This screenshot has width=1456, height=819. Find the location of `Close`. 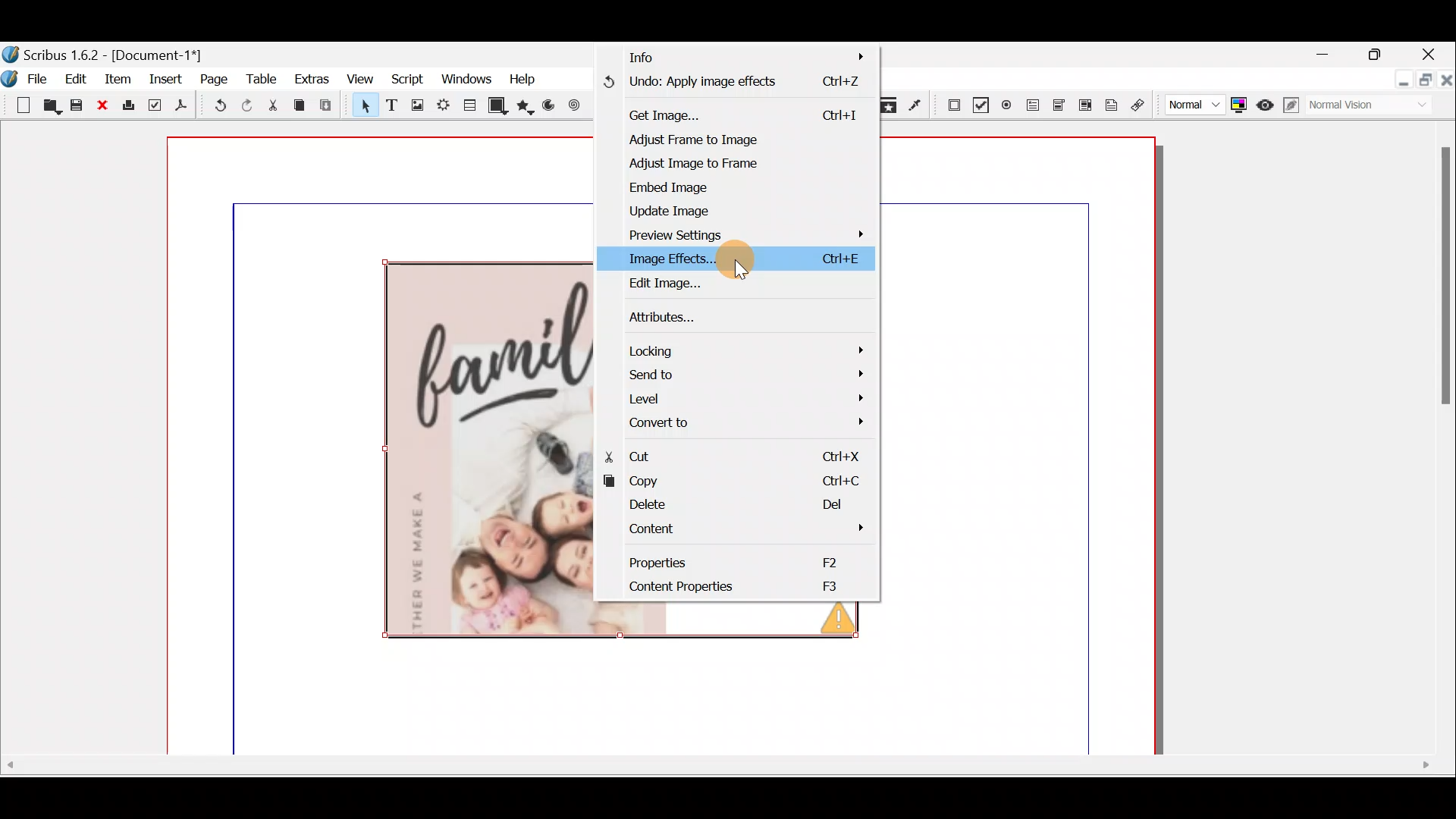

Close is located at coordinates (1446, 81).